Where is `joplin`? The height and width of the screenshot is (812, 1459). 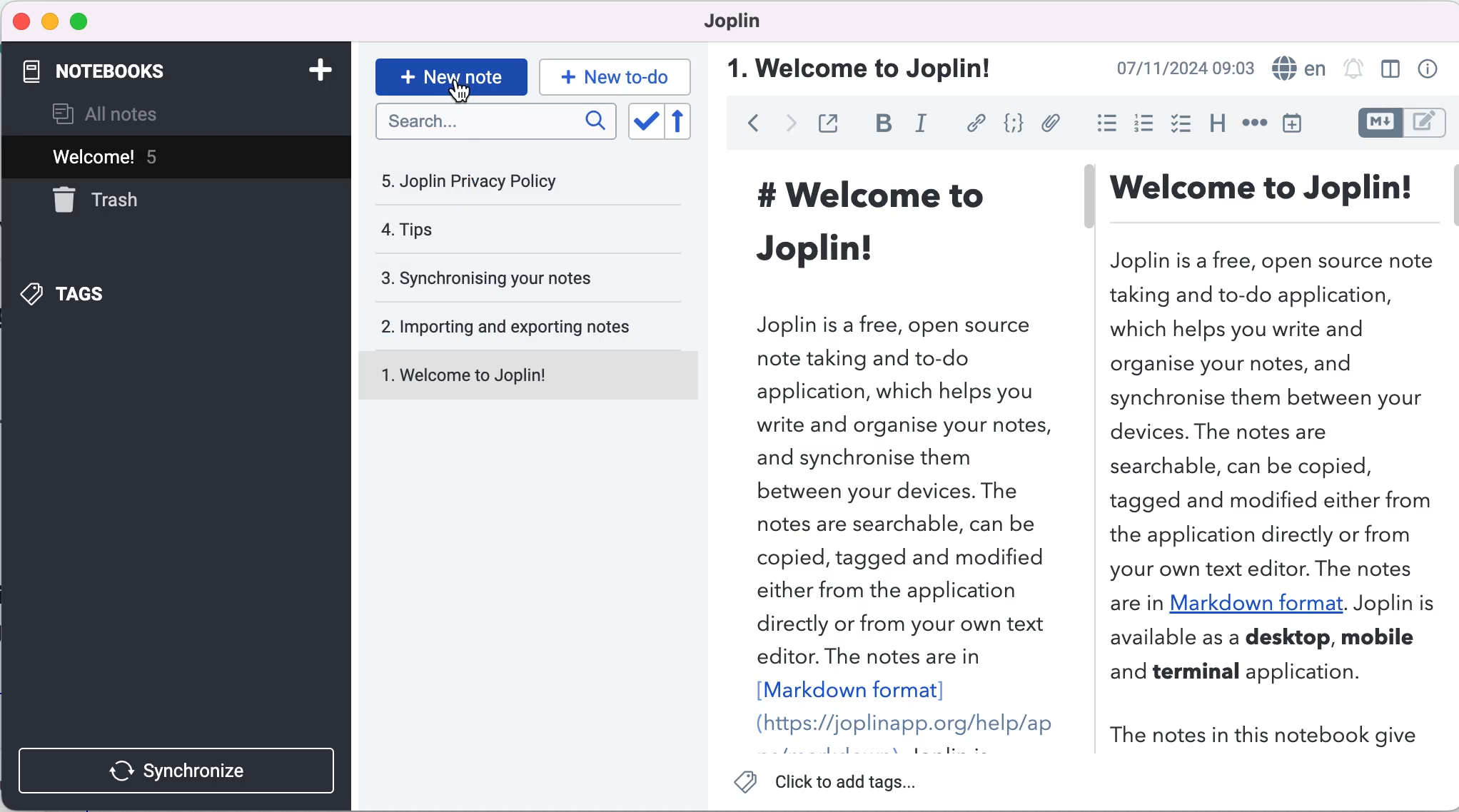
joplin is located at coordinates (732, 21).